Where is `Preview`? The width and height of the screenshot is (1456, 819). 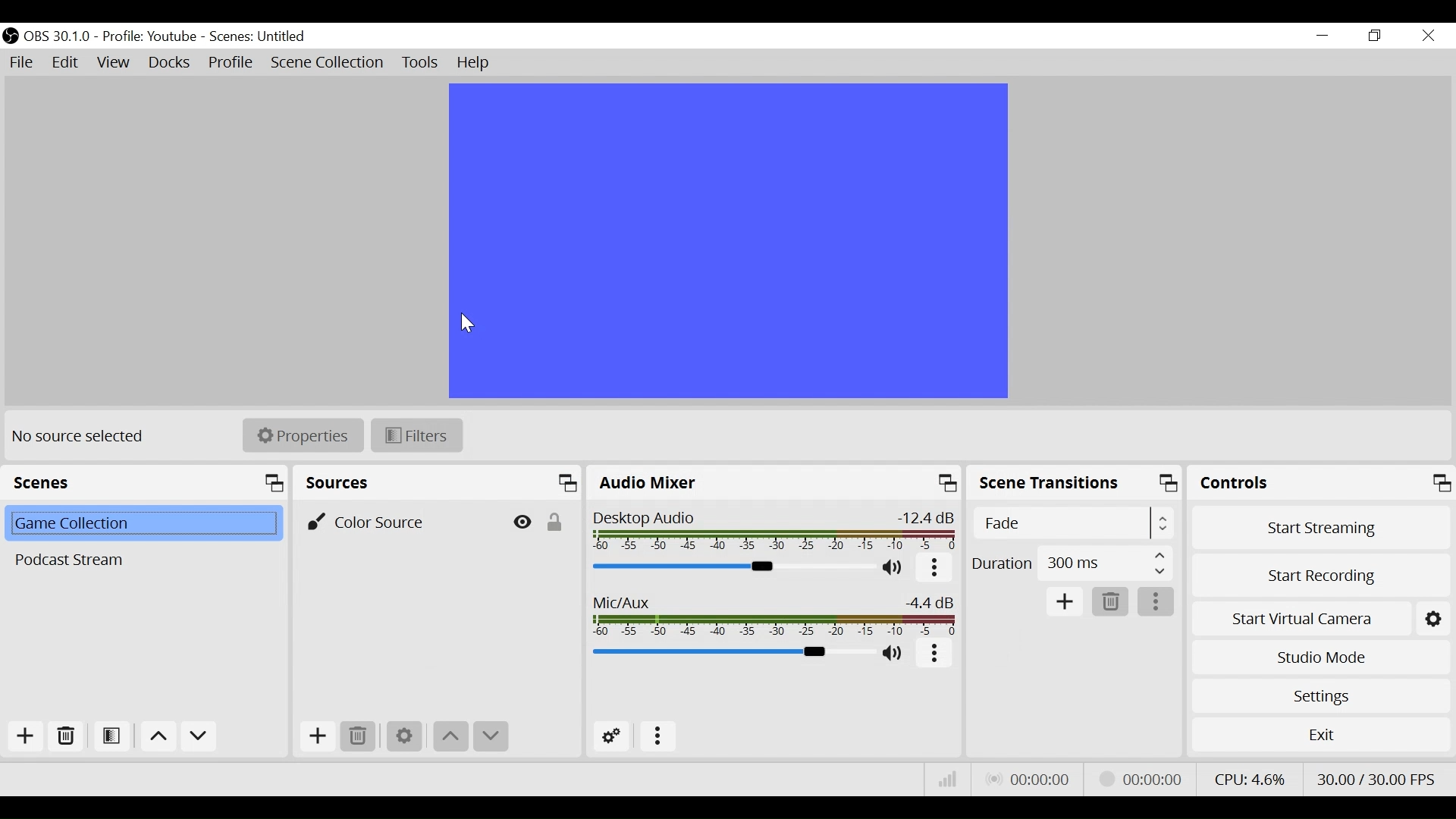 Preview is located at coordinates (726, 240).